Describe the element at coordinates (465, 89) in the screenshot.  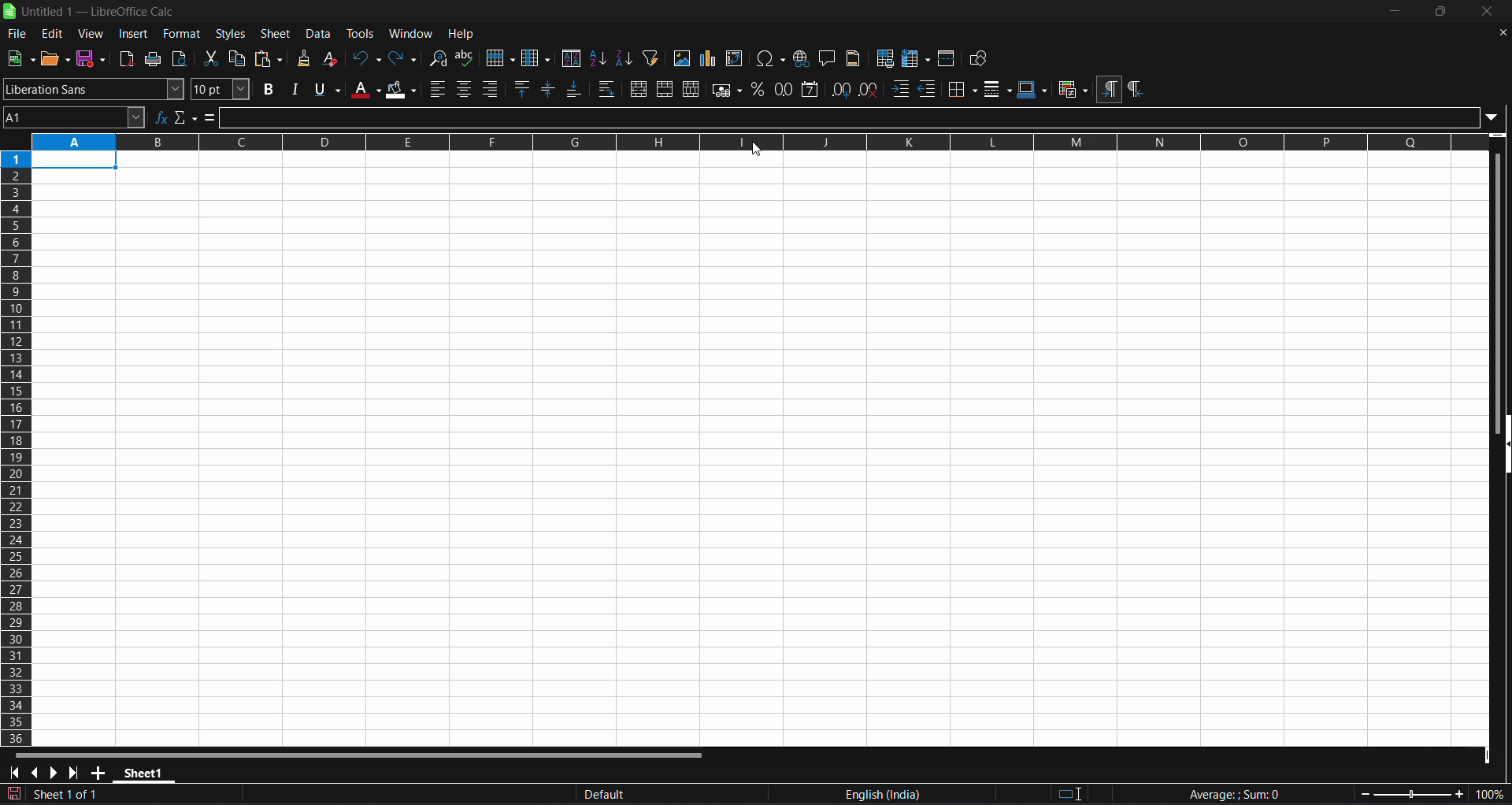
I see `align center` at that location.